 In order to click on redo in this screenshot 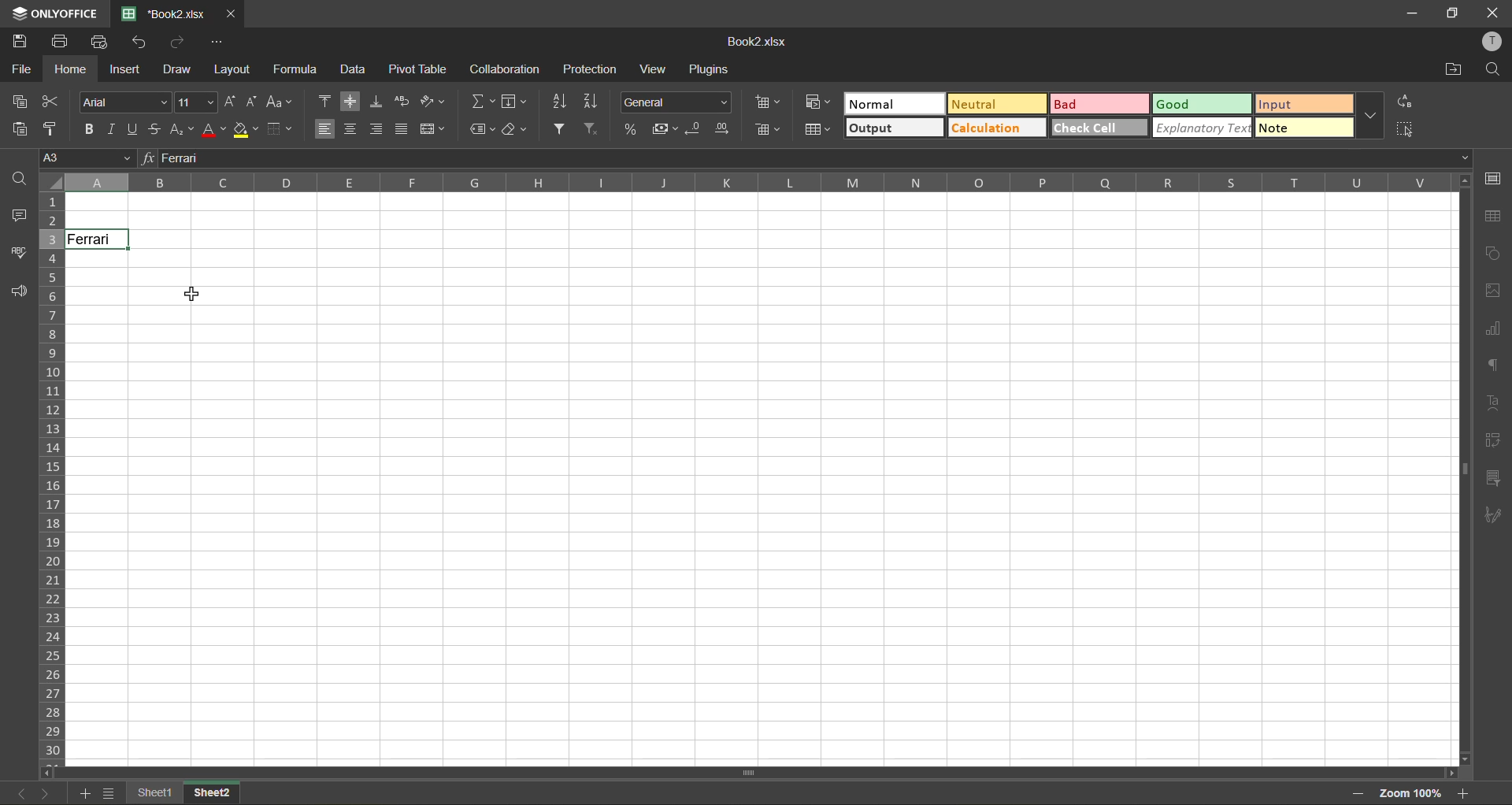, I will do `click(179, 43)`.